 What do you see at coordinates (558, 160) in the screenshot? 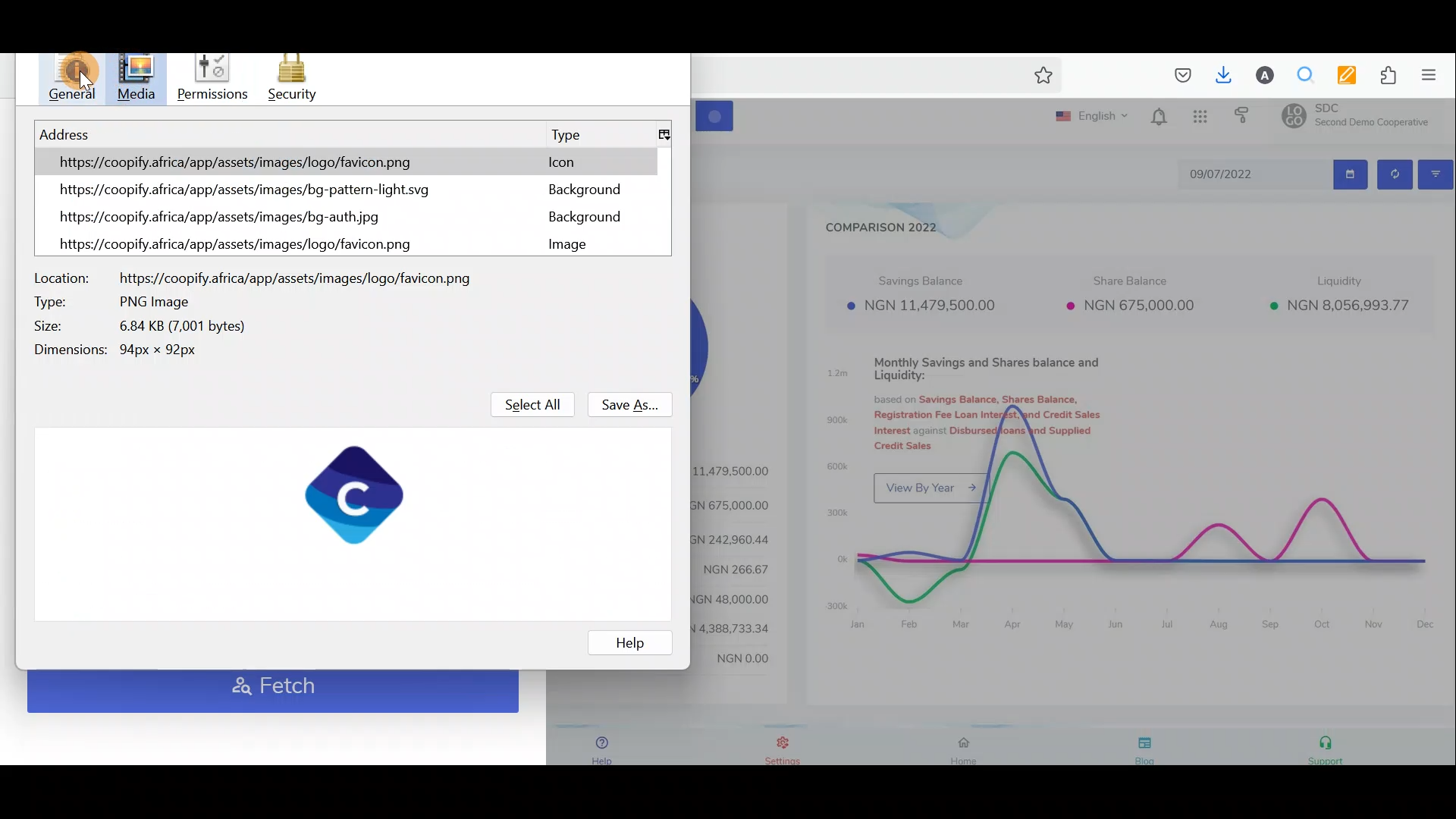
I see `Icon` at bounding box center [558, 160].